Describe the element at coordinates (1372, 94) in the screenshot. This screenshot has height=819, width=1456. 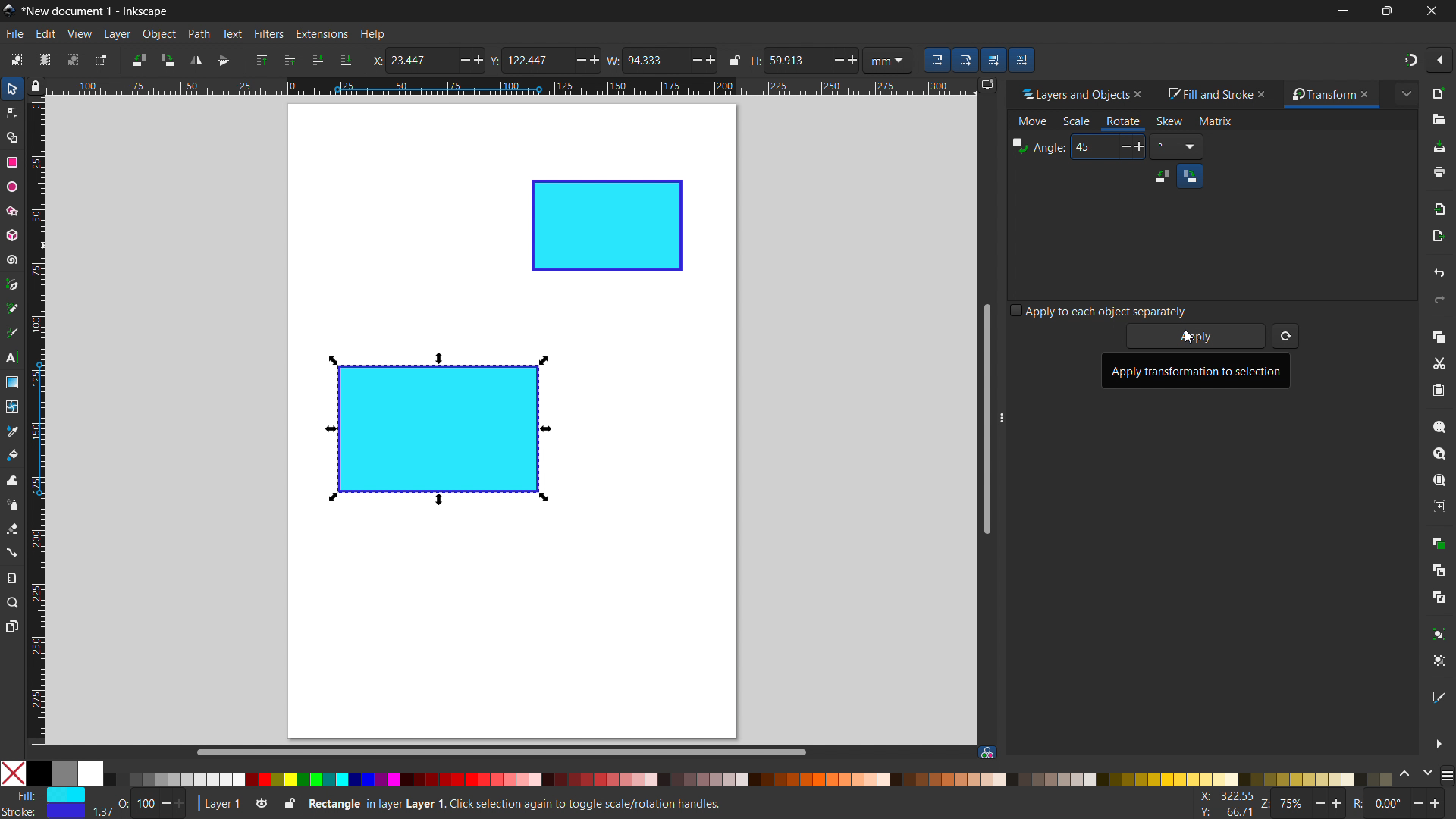
I see `close` at that location.